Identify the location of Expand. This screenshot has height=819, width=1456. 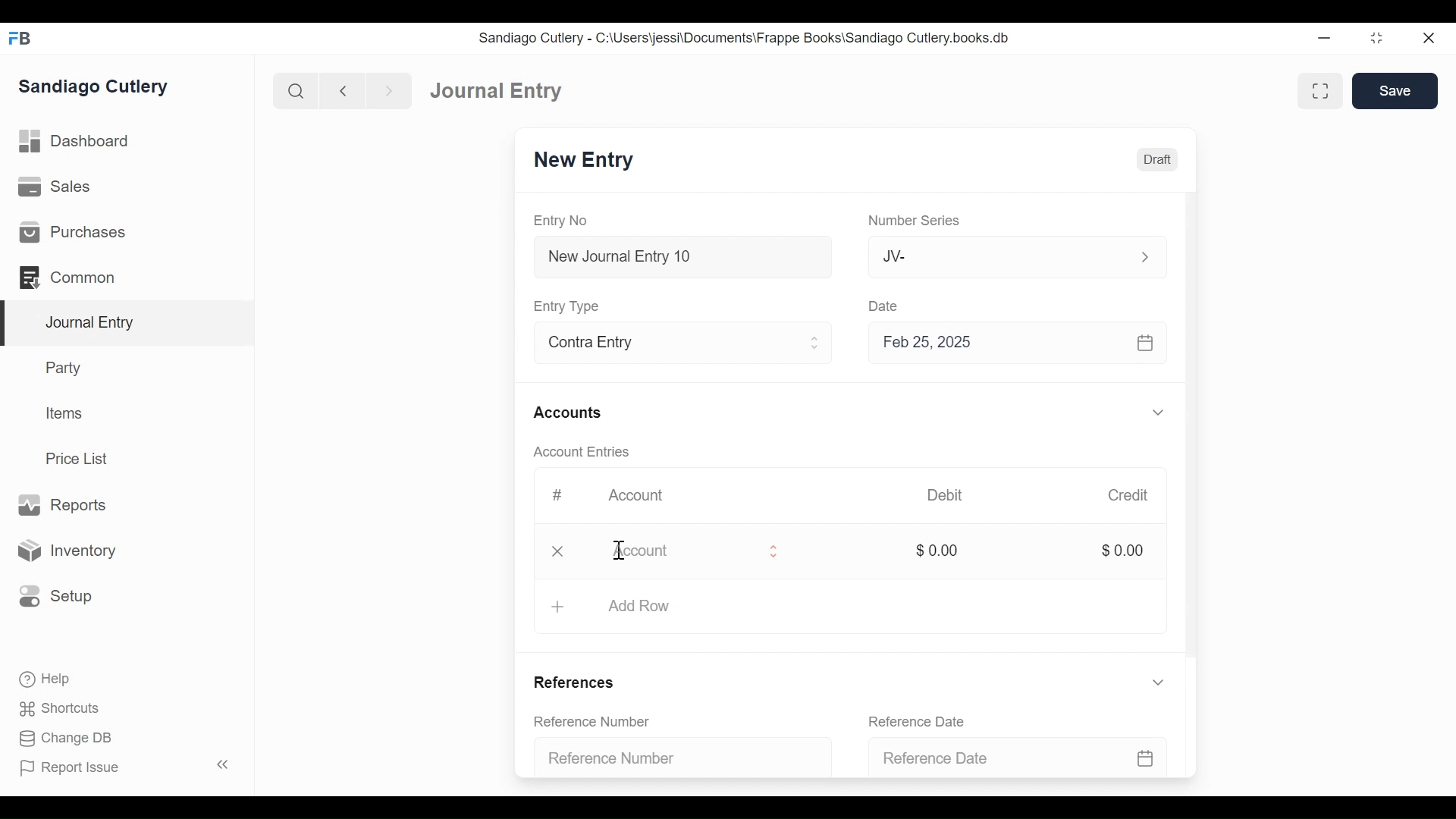
(1144, 256).